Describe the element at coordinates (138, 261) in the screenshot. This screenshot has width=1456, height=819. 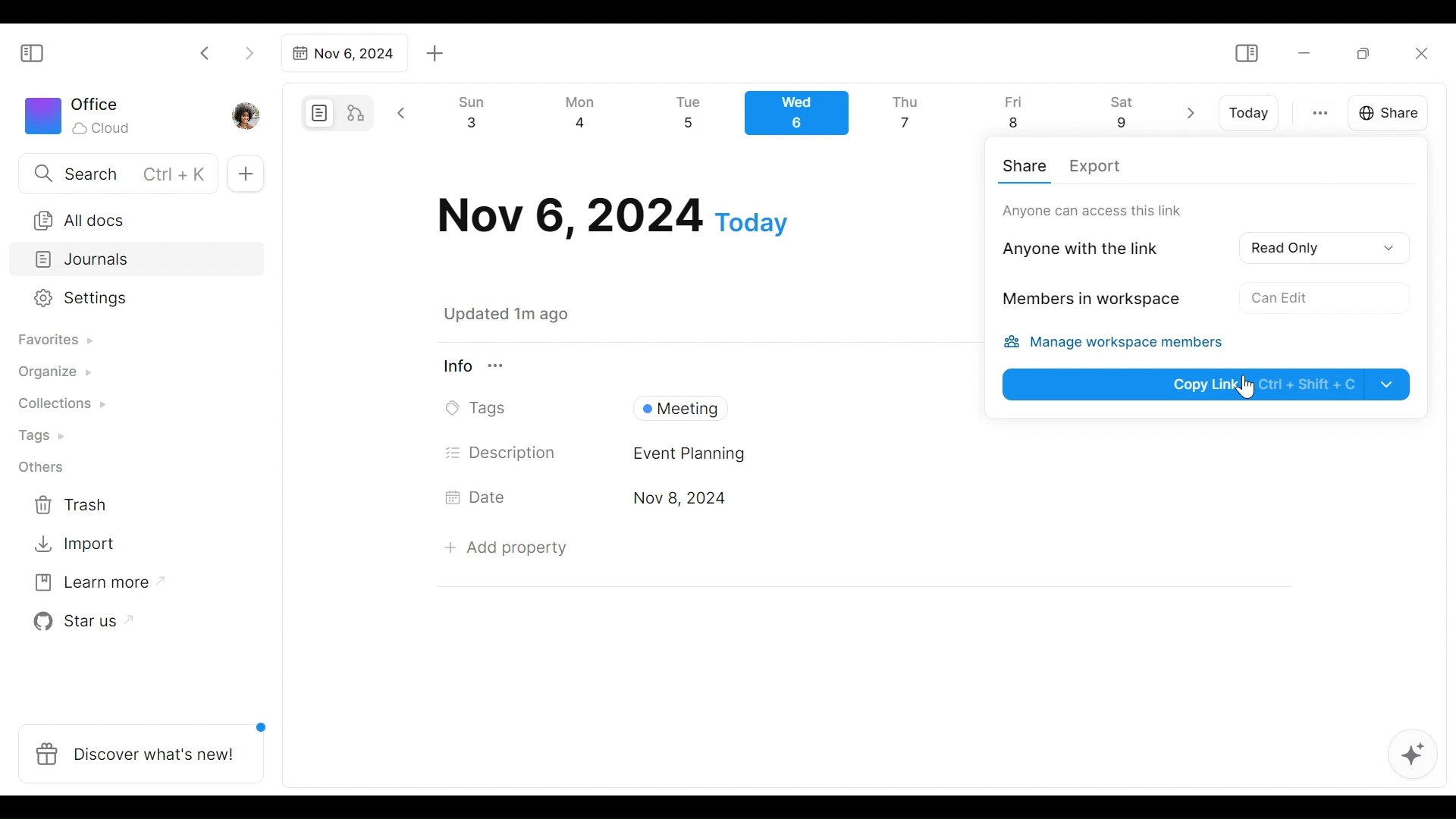
I see `Journals` at that location.